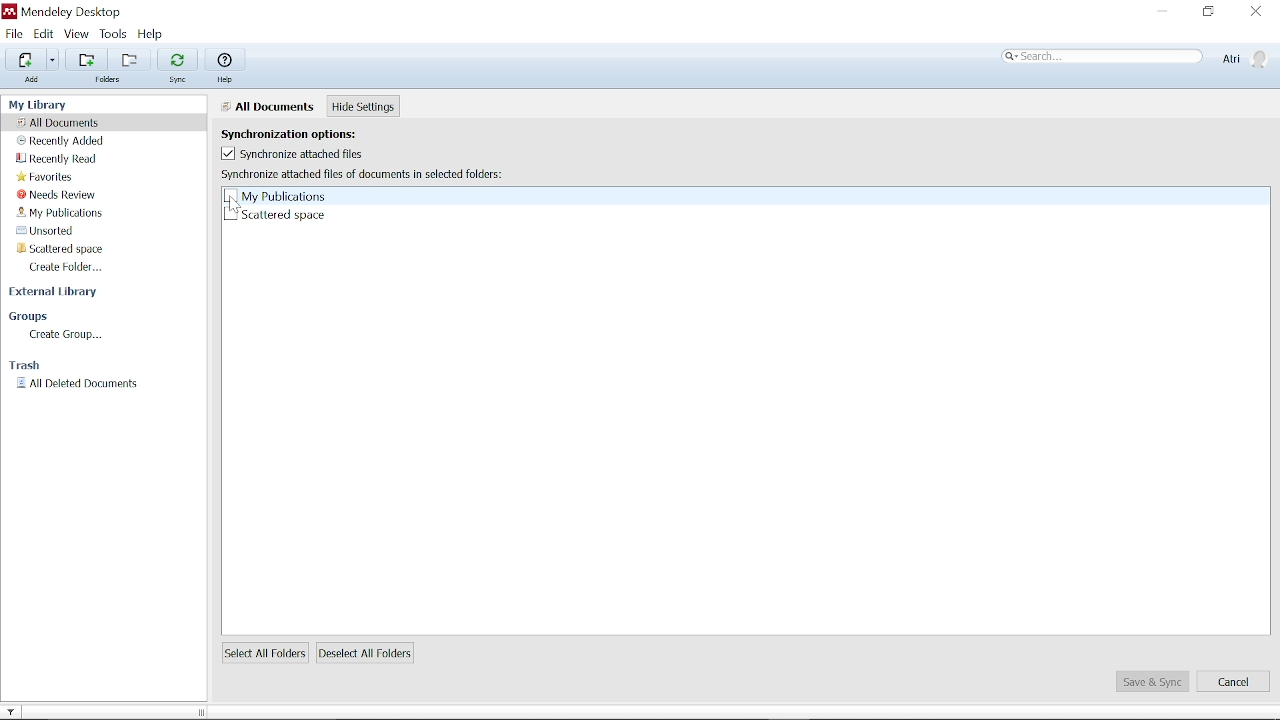 The width and height of the screenshot is (1280, 720). I want to click on Hide settings, so click(364, 107).